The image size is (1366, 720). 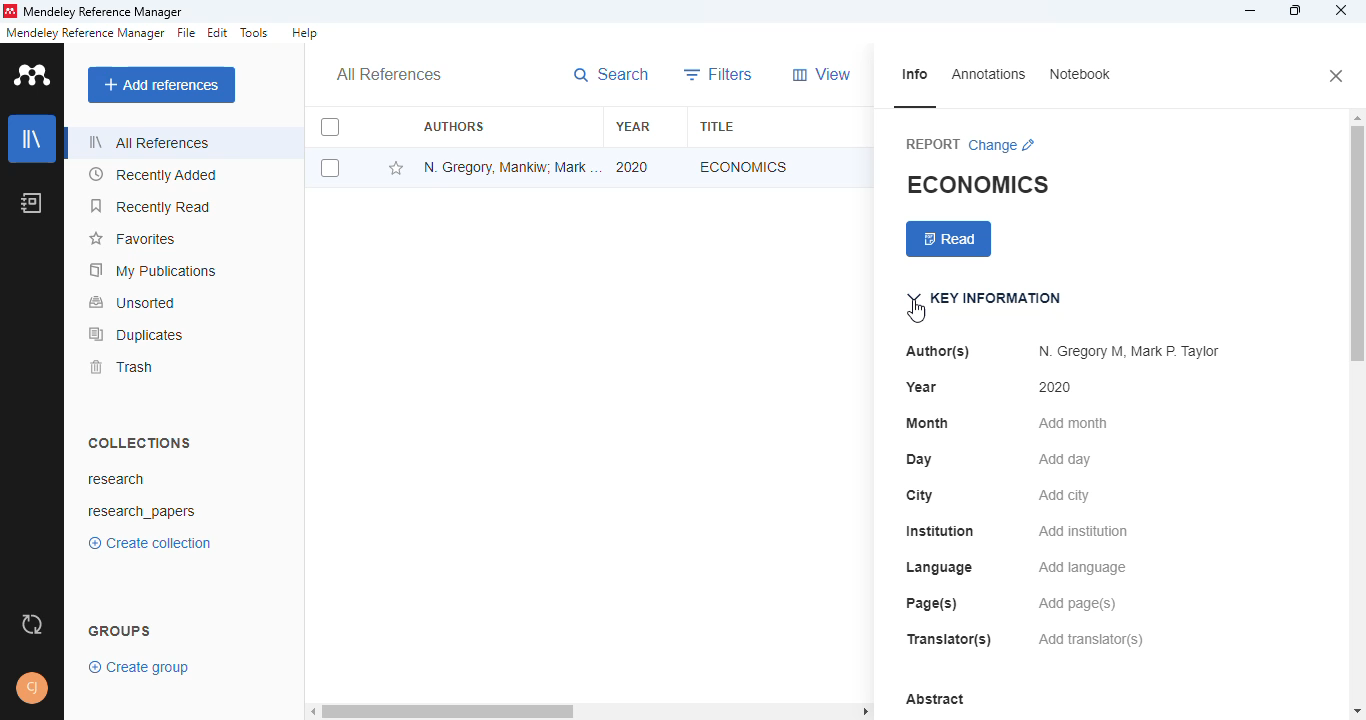 What do you see at coordinates (140, 444) in the screenshot?
I see `collections` at bounding box center [140, 444].